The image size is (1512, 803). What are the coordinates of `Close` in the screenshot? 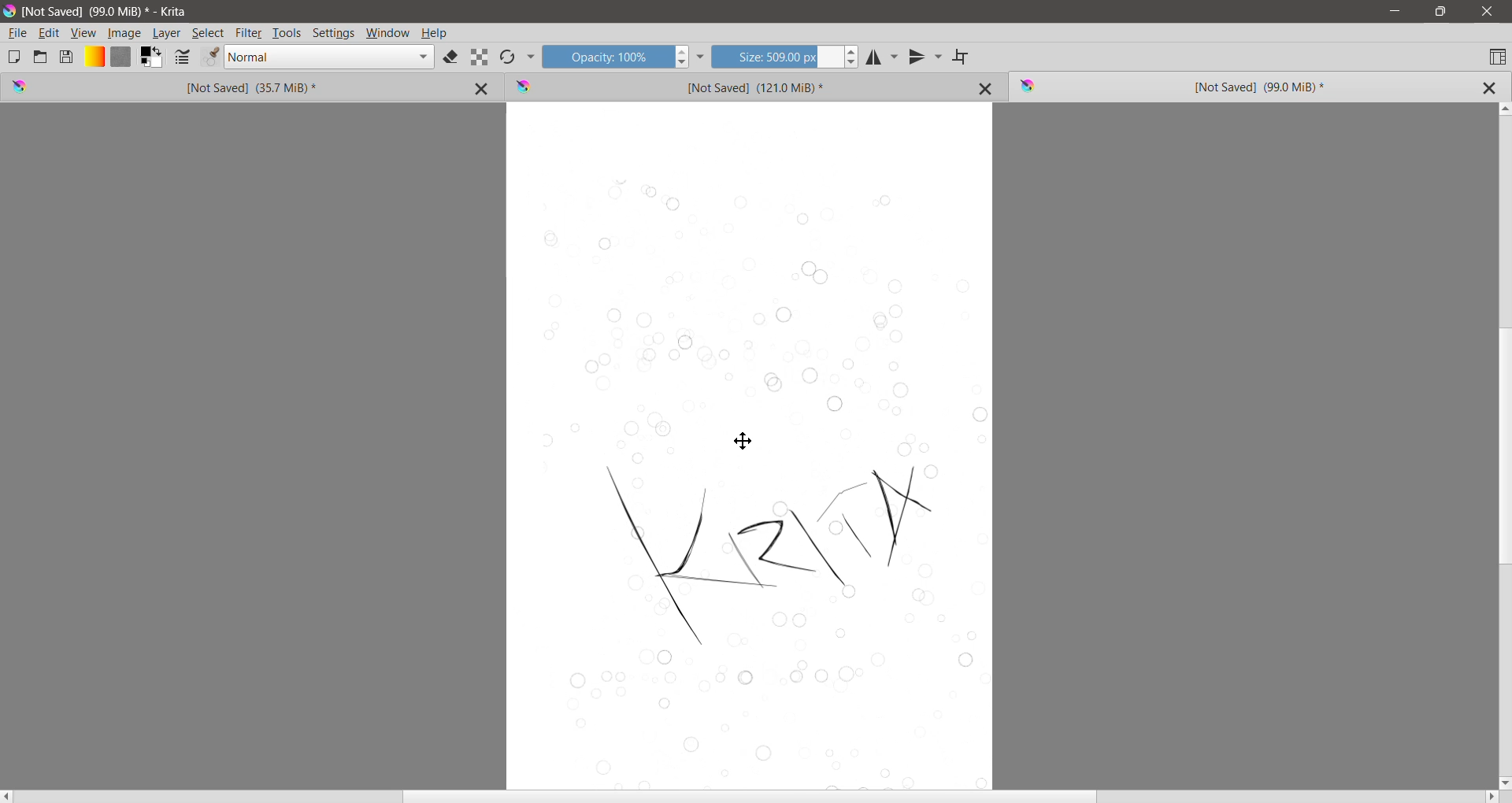 It's located at (1488, 12).